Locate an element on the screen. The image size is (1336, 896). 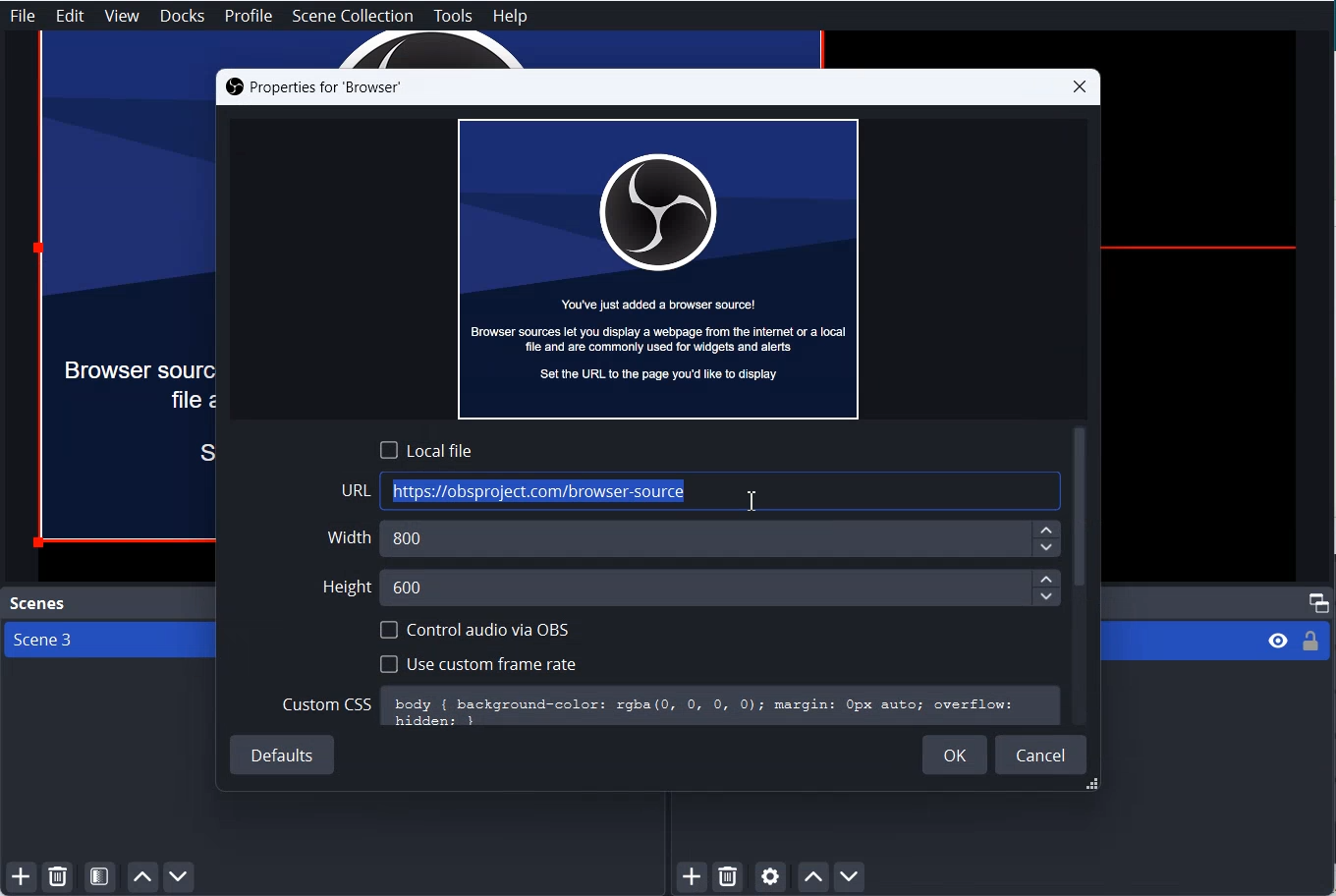
Properties of Browser is located at coordinates (312, 87).